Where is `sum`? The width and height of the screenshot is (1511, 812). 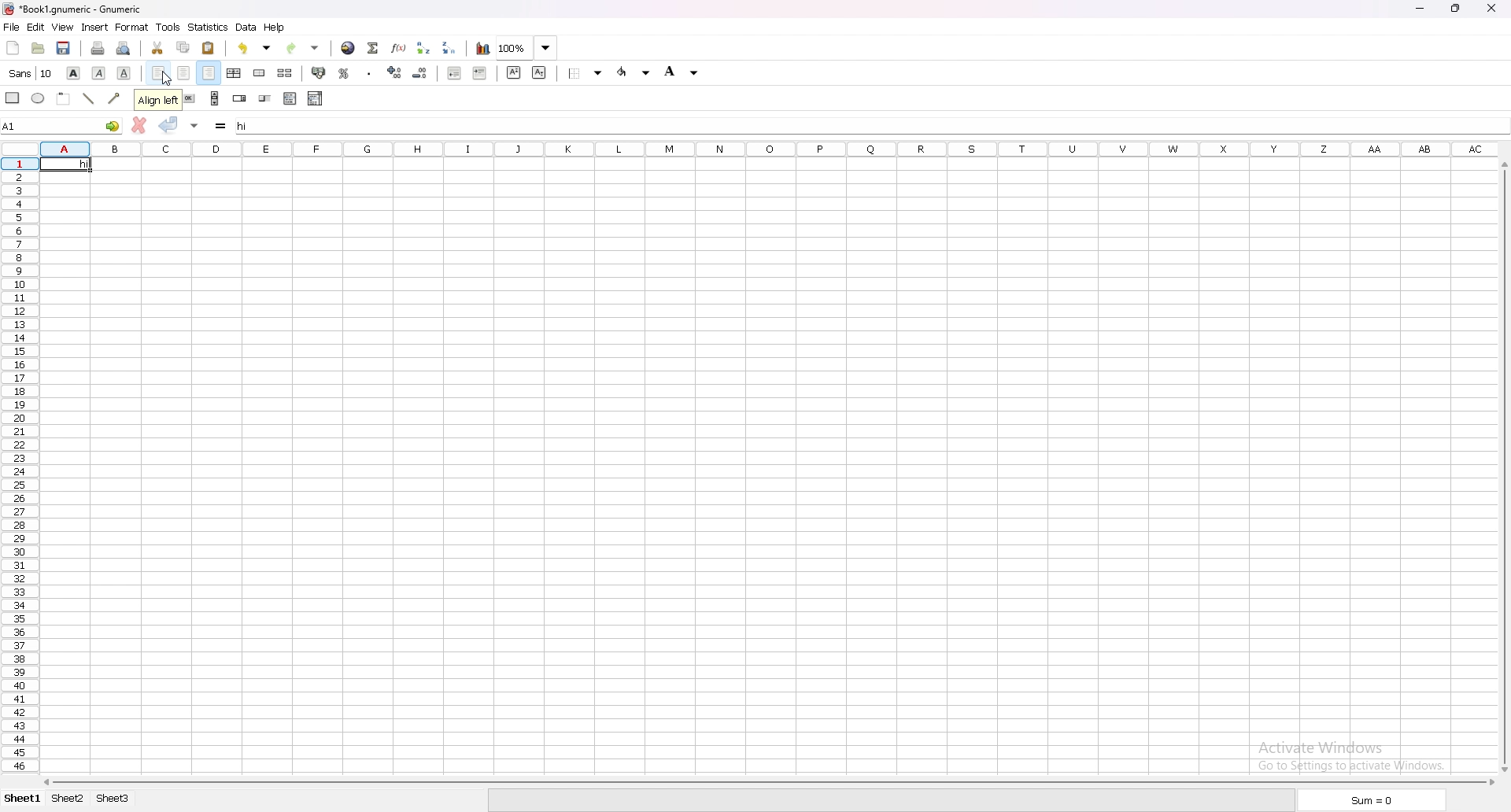
sum is located at coordinates (1369, 800).